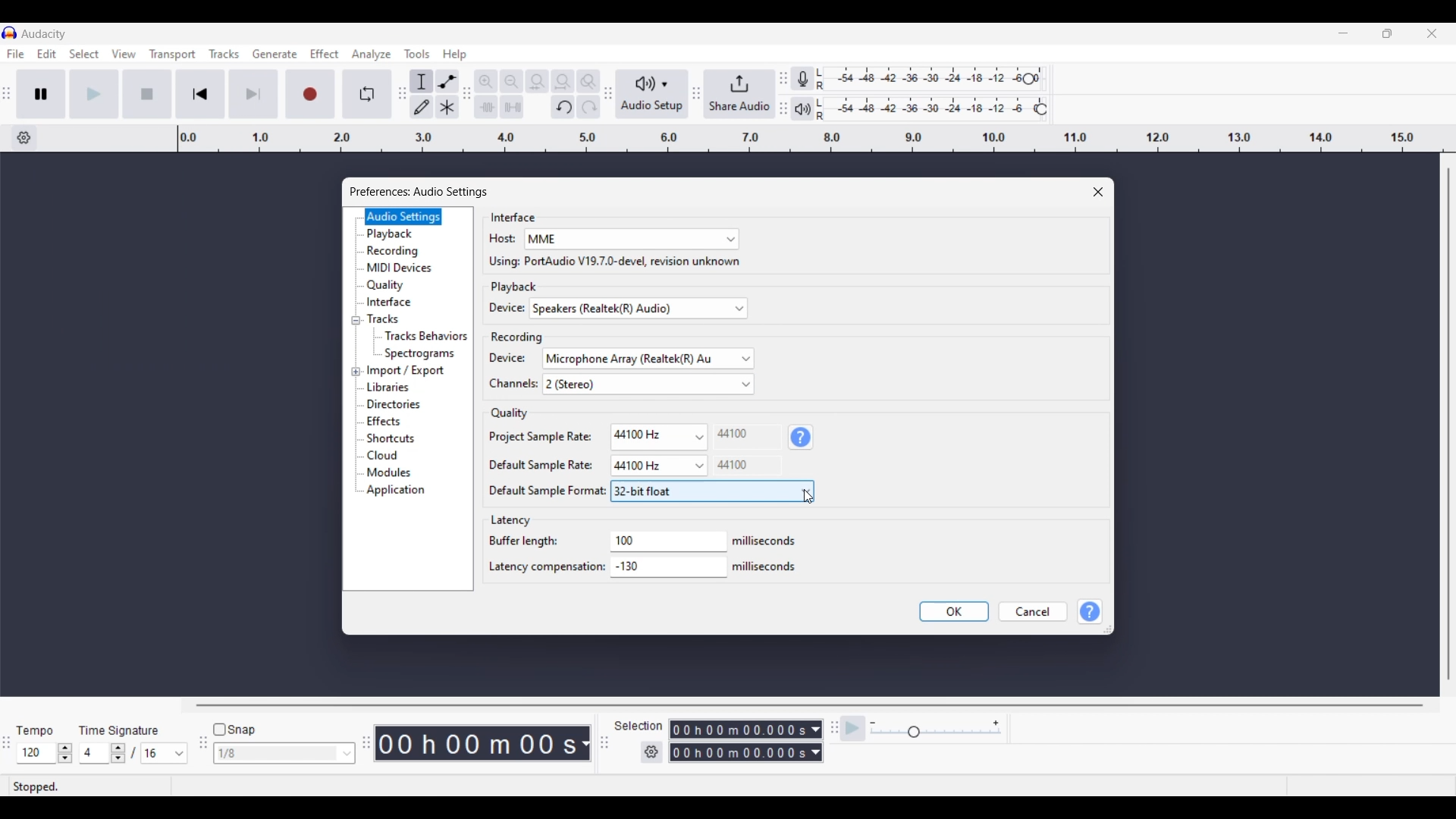 Image resolution: width=1456 pixels, height=819 pixels. I want to click on Type in latency compensation, so click(667, 566).